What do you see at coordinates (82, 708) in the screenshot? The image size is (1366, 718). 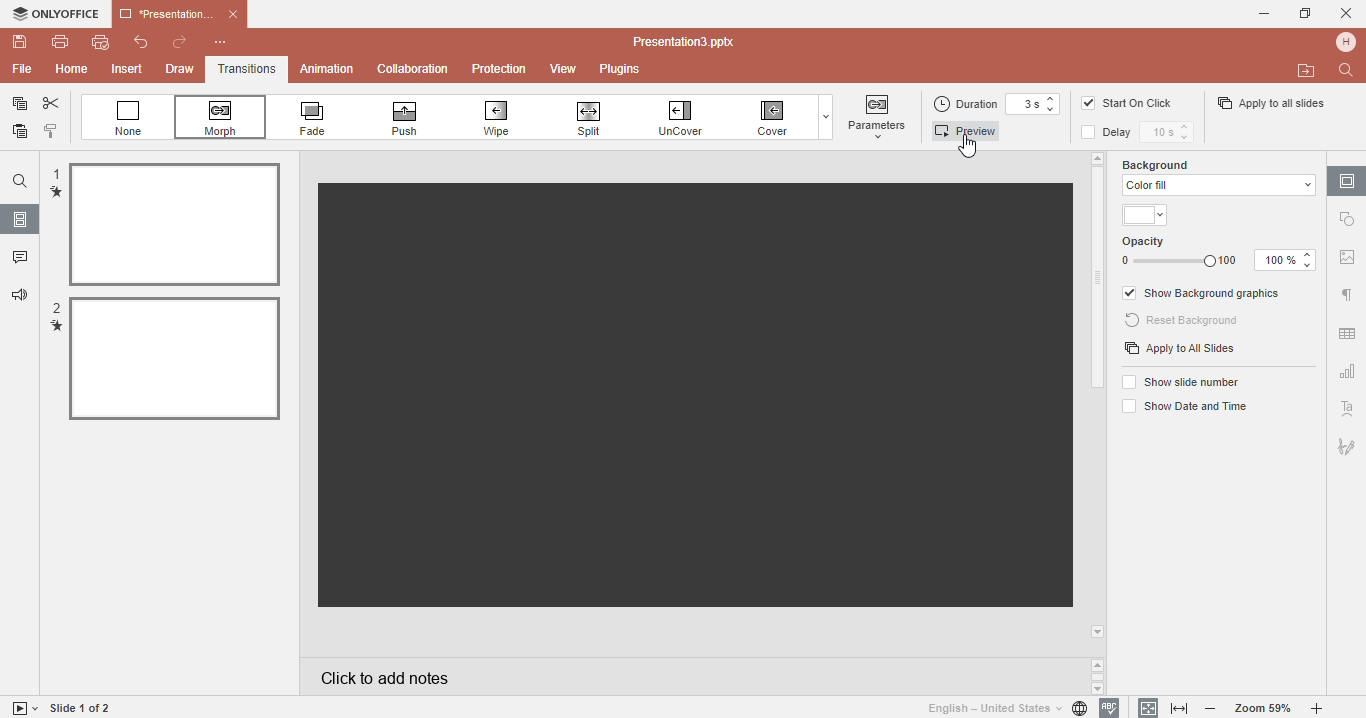 I see `Slide 1 to 1` at bounding box center [82, 708].